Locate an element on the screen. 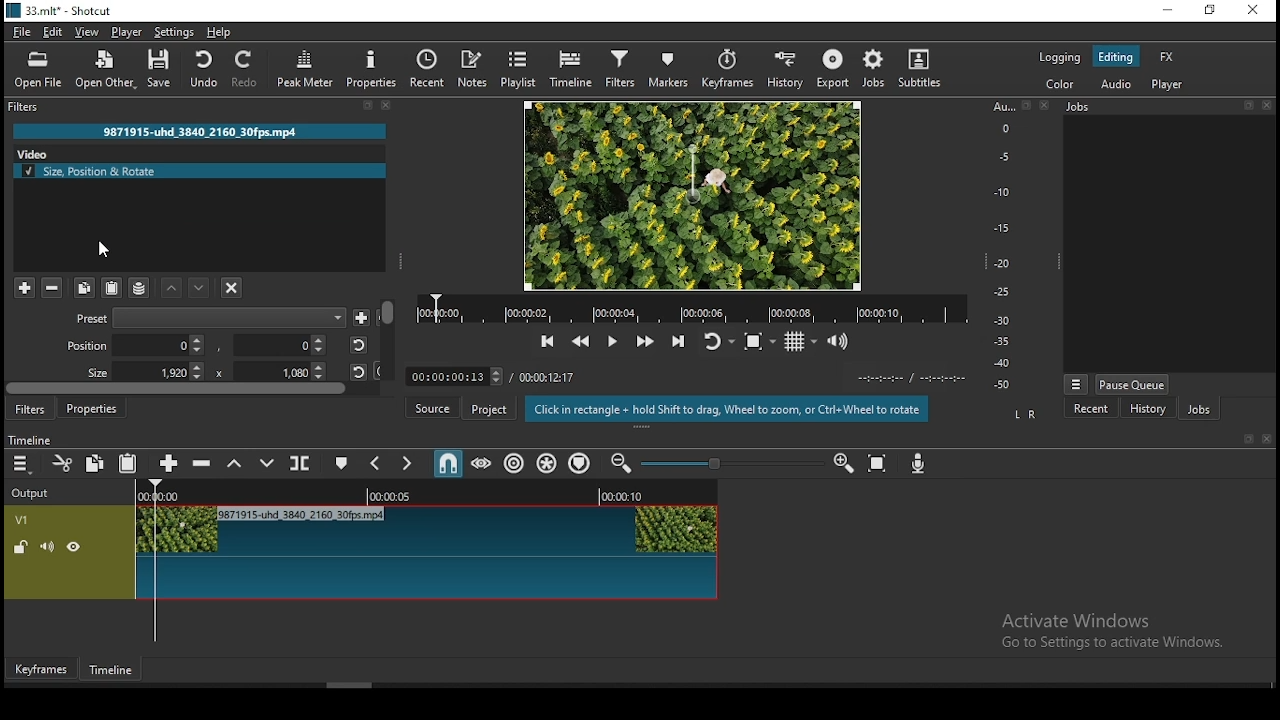 The height and width of the screenshot is (720, 1280). previous marker is located at coordinates (380, 464).